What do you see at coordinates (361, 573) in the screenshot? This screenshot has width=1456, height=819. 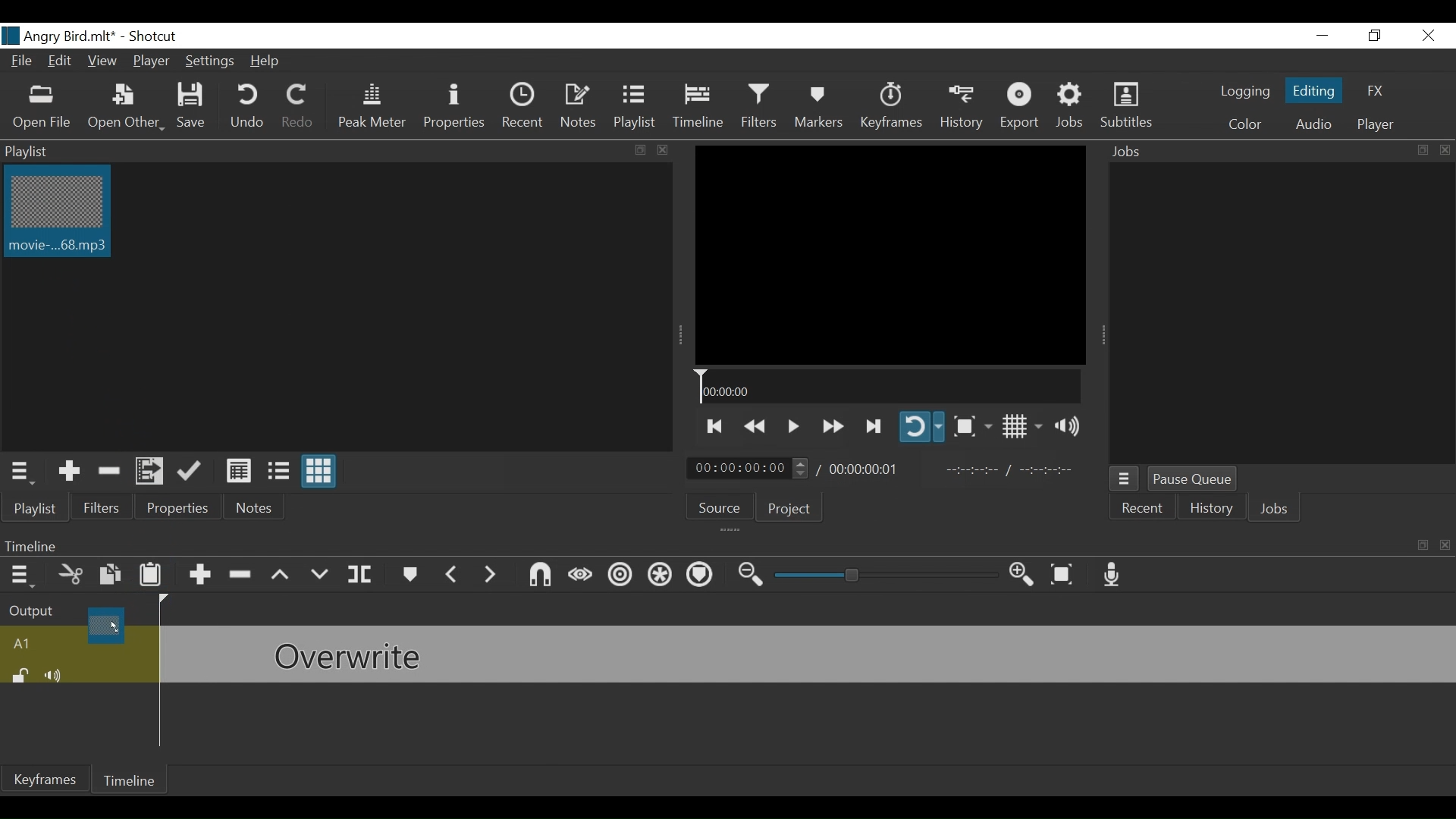 I see `Split at playhead` at bounding box center [361, 573].